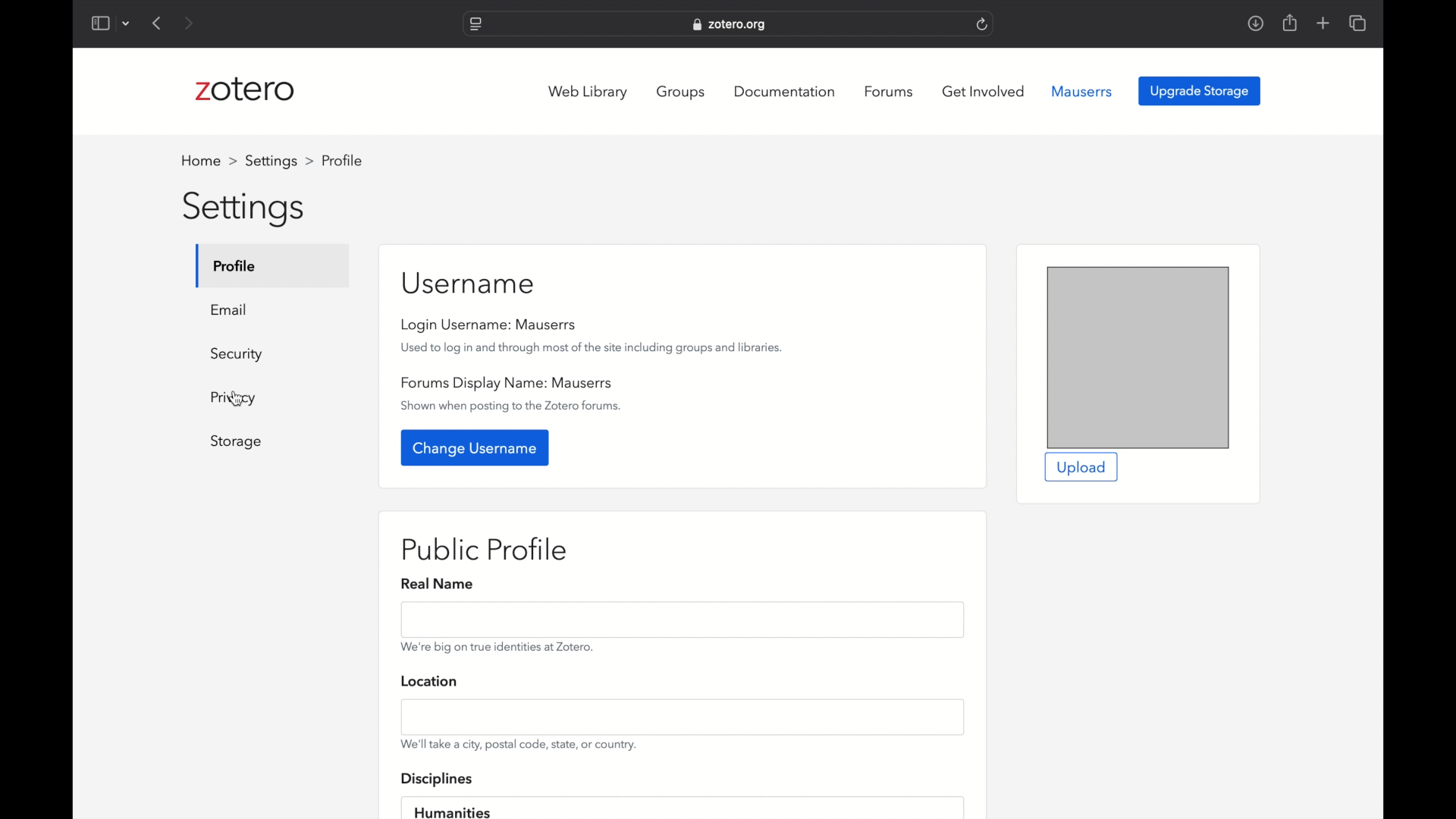  Describe the element at coordinates (1255, 24) in the screenshot. I see `downloads` at that location.